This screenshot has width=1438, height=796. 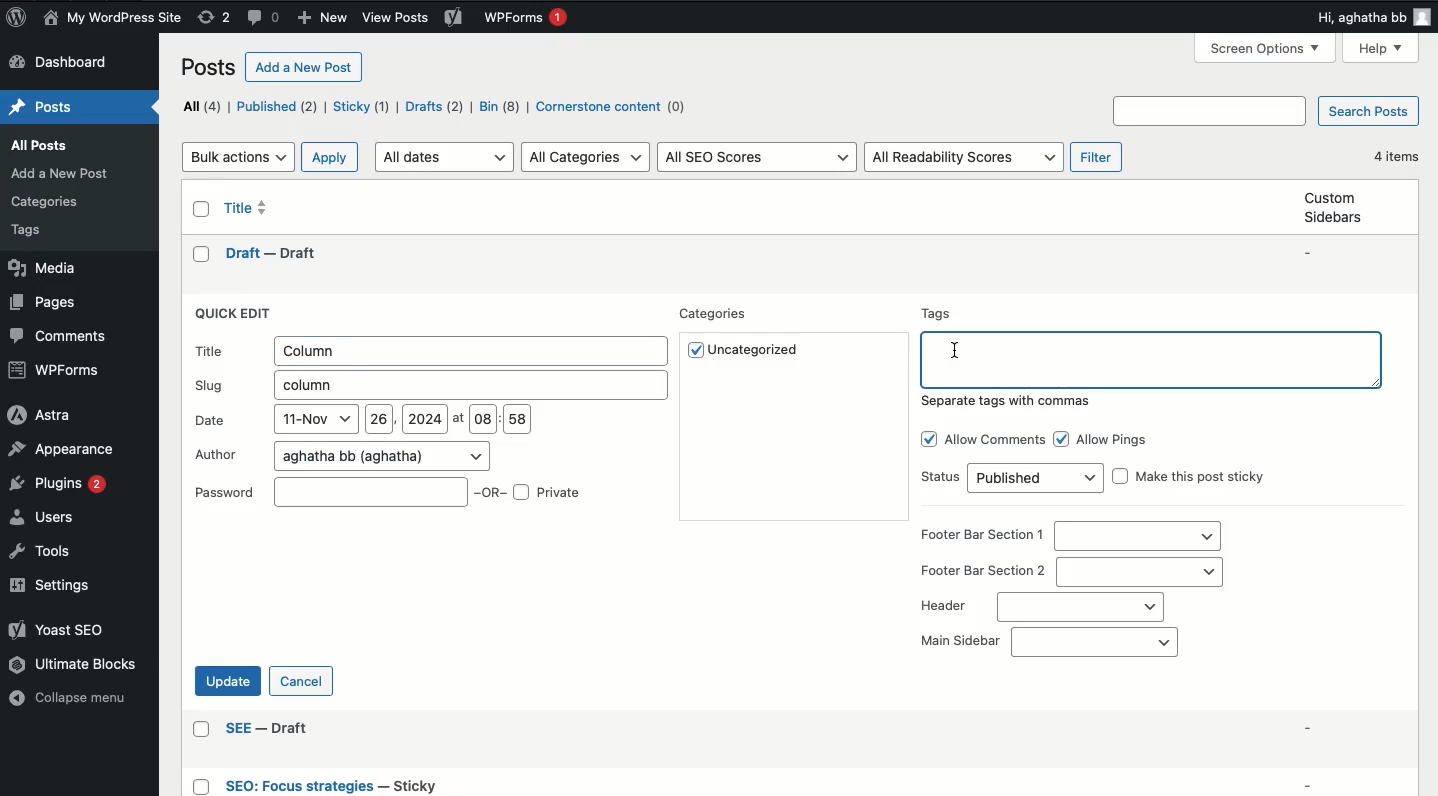 I want to click on Comments, so click(x=266, y=18).